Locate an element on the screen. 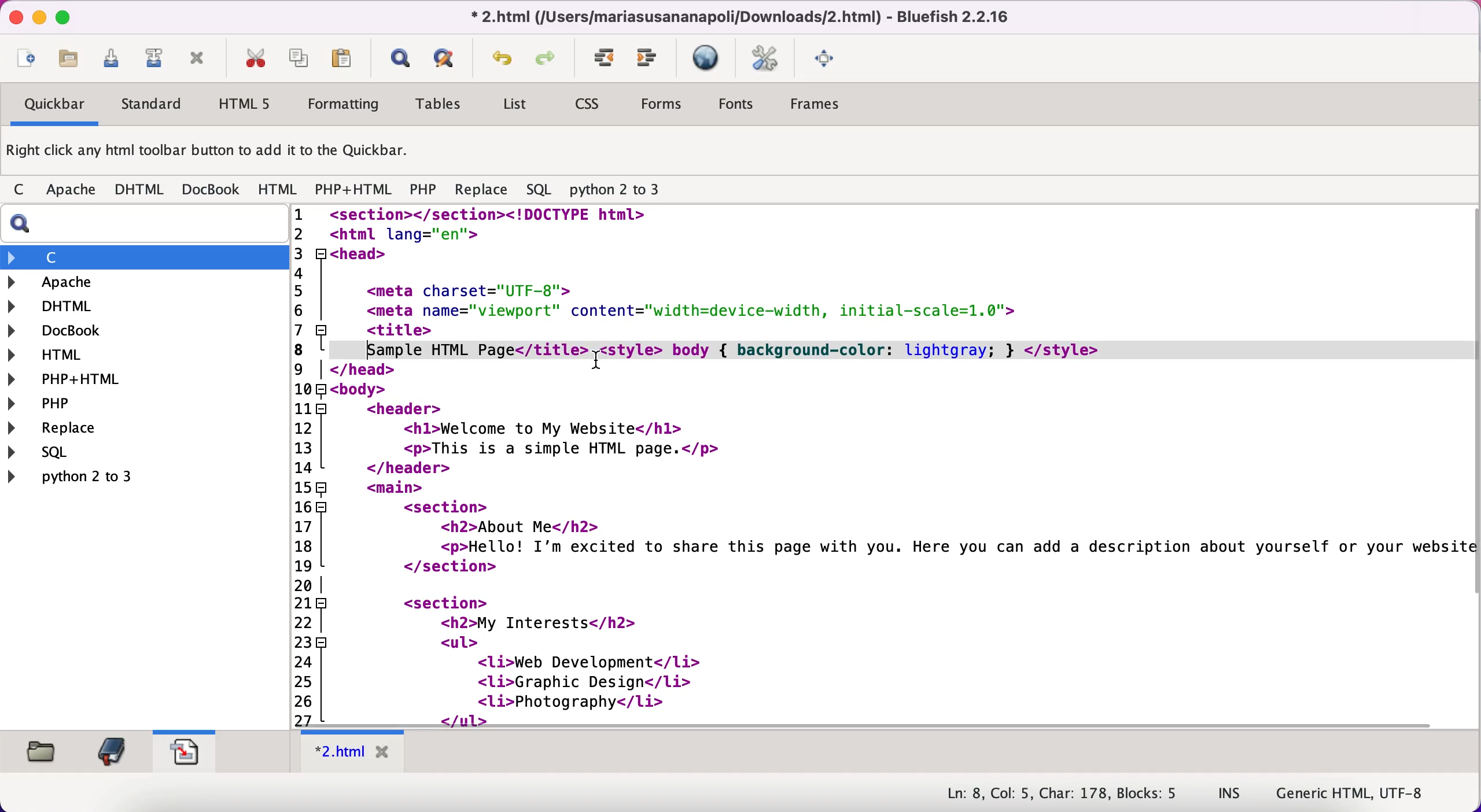  python 2 to 3 is located at coordinates (625, 190).